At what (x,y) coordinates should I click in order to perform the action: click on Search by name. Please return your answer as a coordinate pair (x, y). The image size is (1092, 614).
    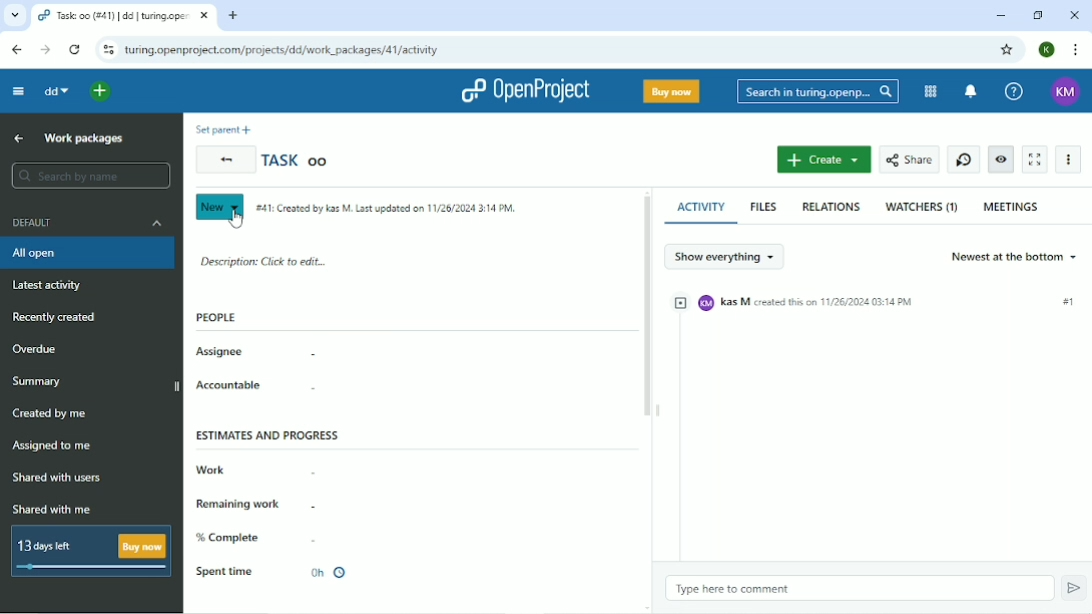
    Looking at the image, I should click on (91, 175).